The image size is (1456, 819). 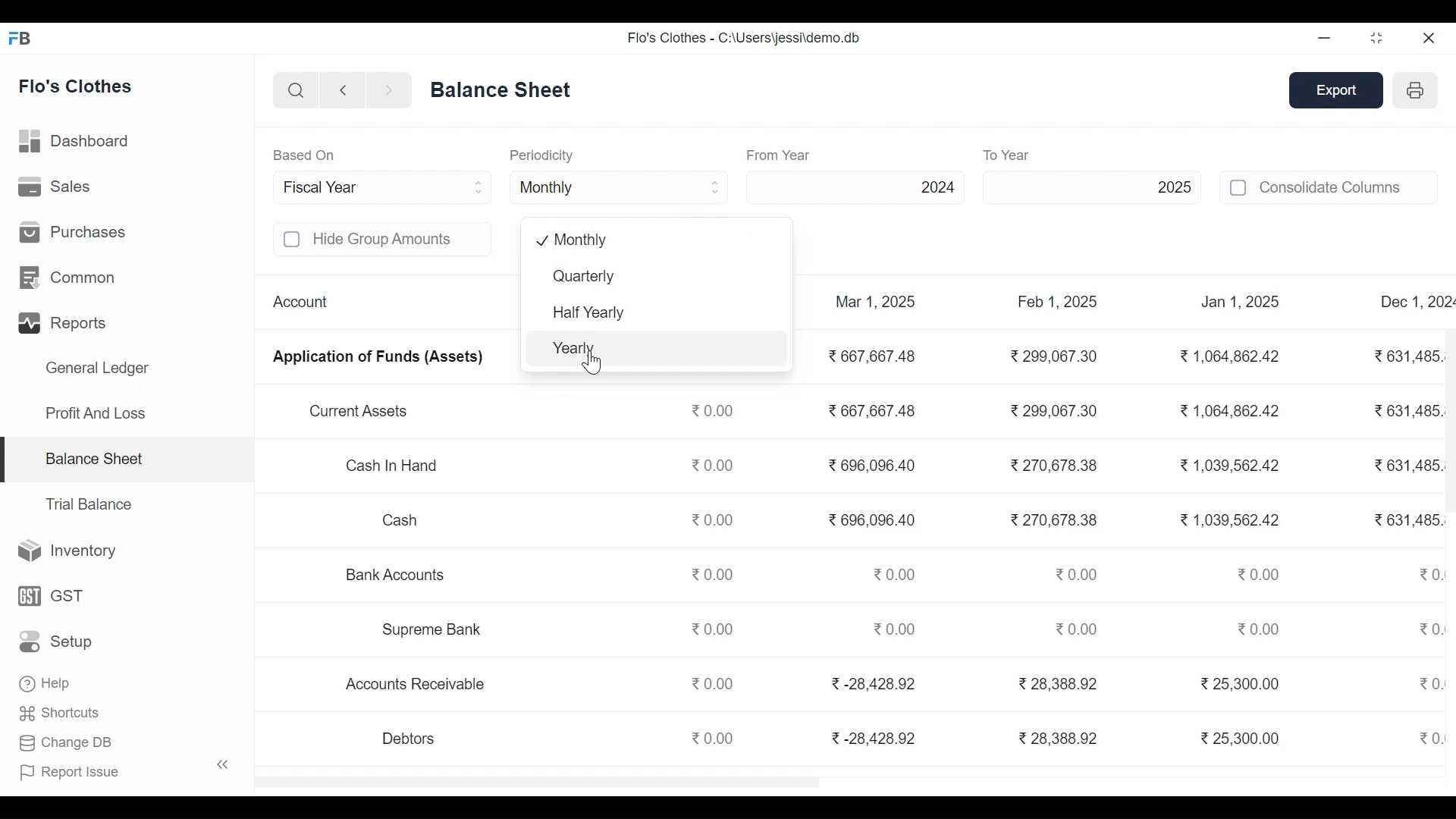 What do you see at coordinates (537, 782) in the screenshot?
I see `scrollbar` at bounding box center [537, 782].